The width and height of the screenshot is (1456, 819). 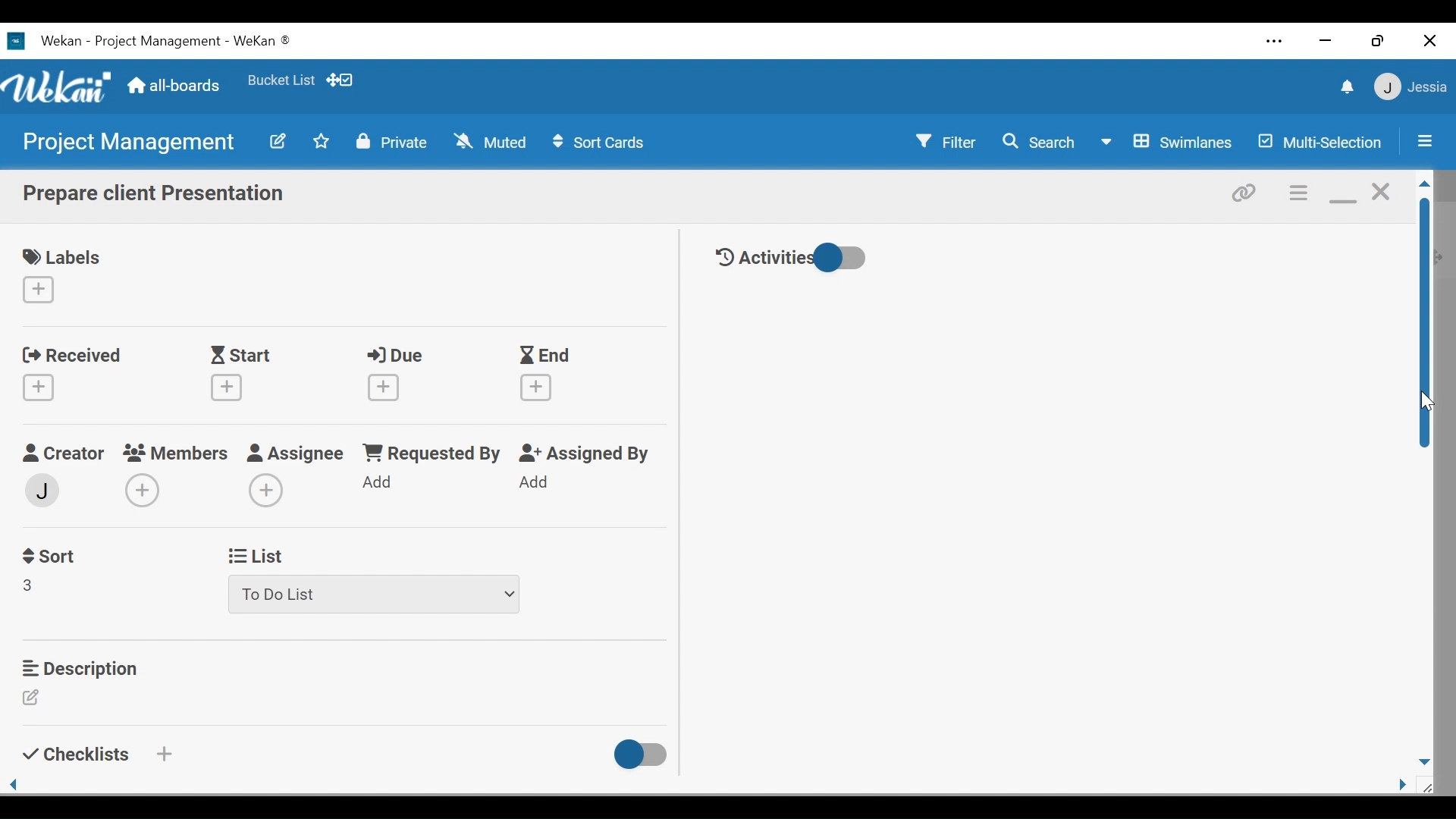 I want to click on Search, so click(x=1041, y=144).